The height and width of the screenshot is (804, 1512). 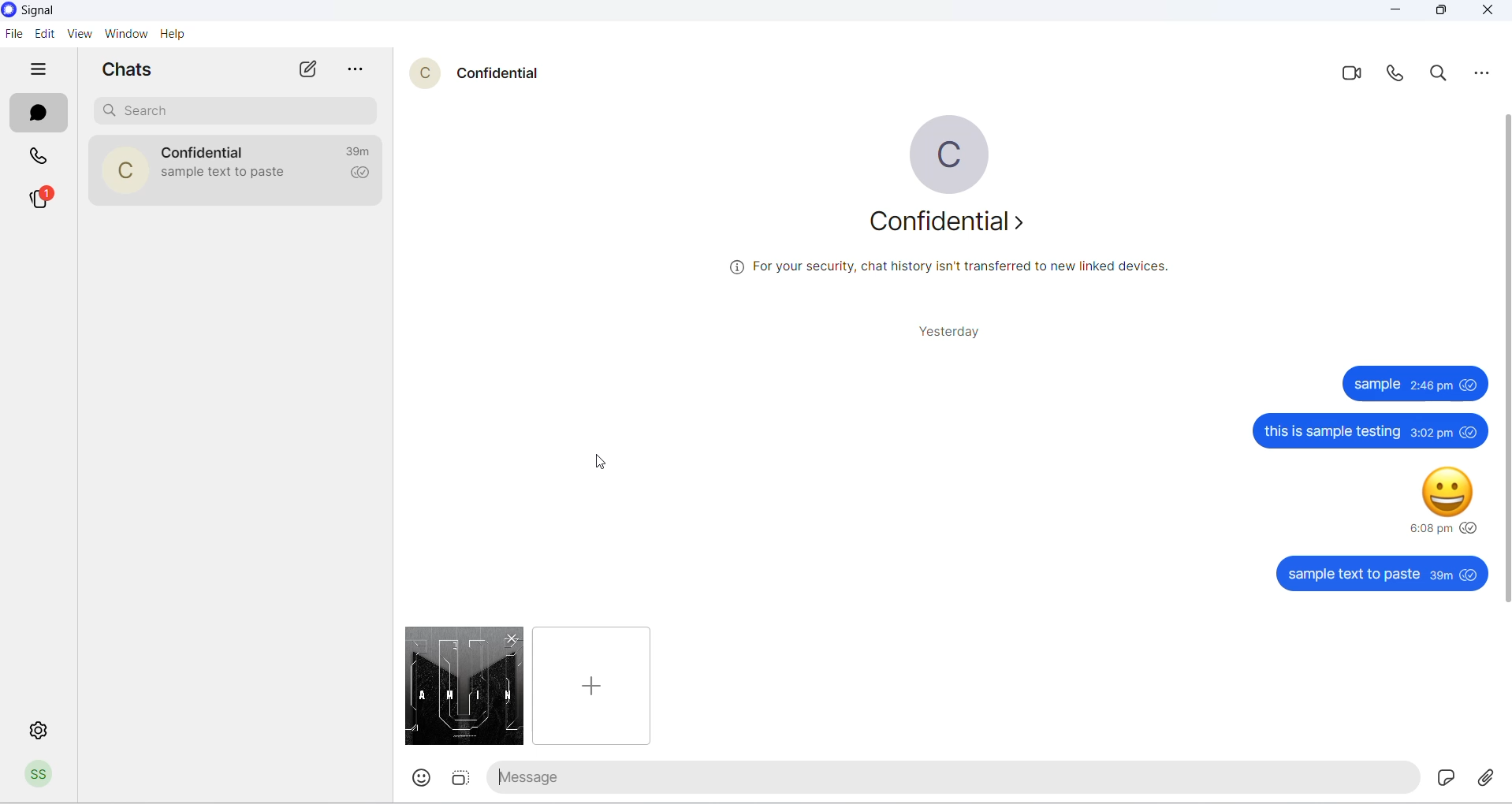 I want to click on message text area, so click(x=966, y=780).